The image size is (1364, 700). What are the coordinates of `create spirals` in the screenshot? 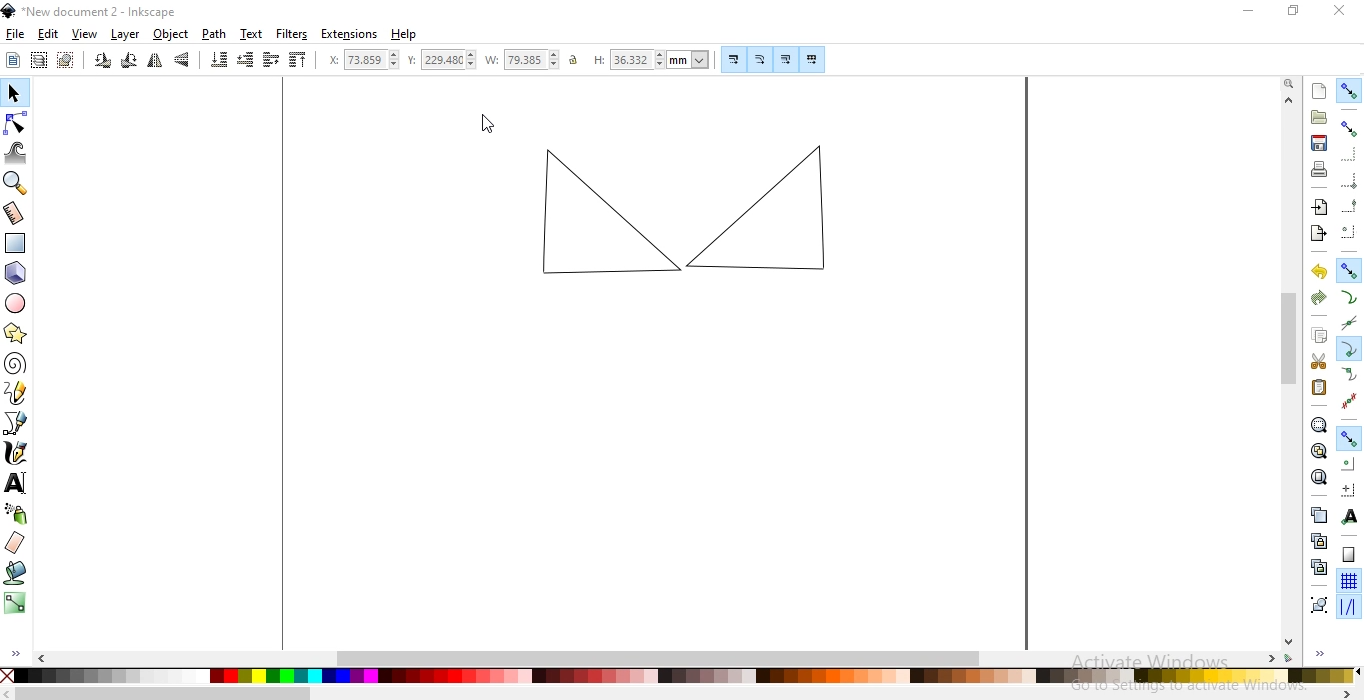 It's located at (17, 364).